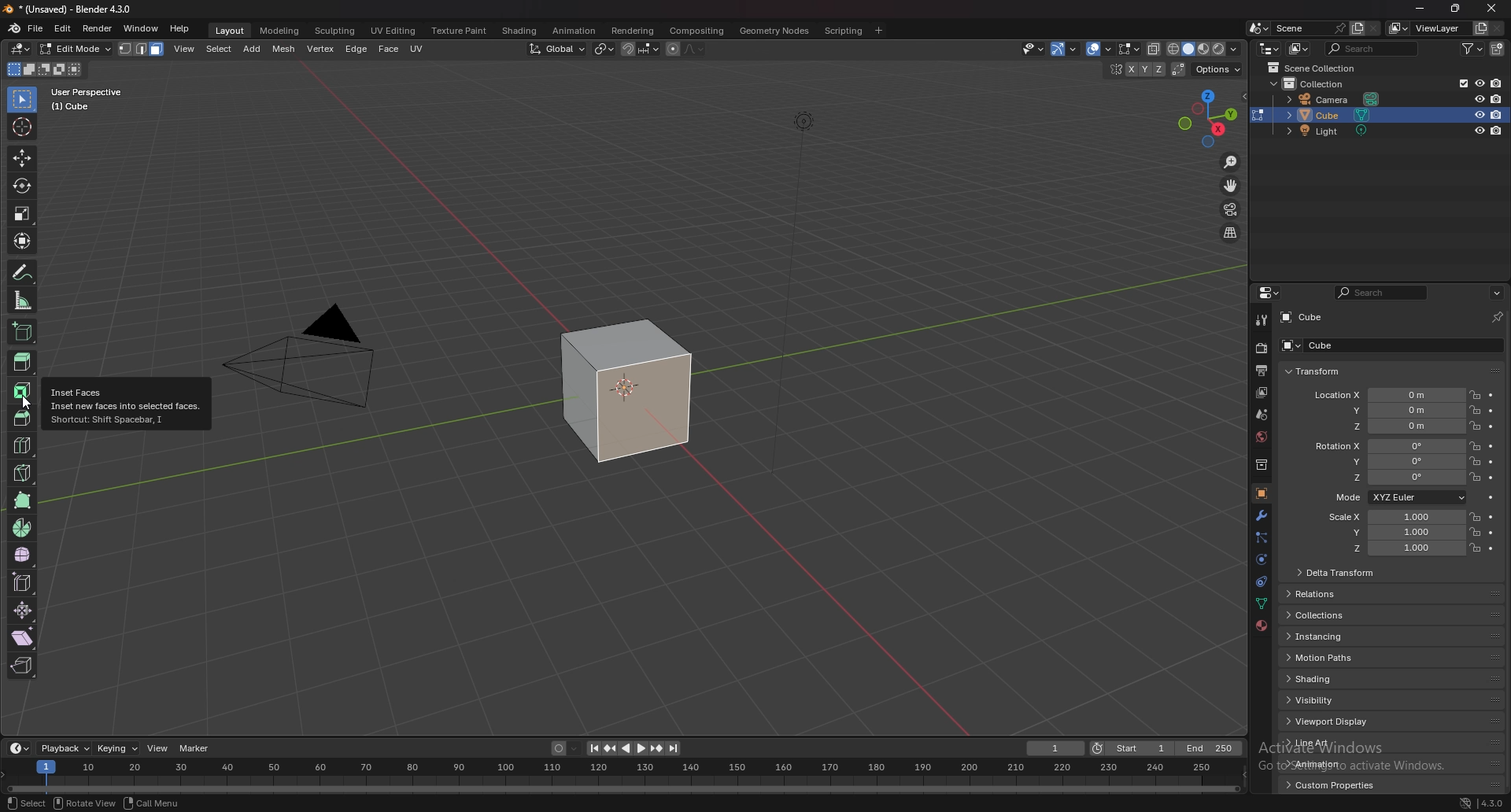 Image resolution: width=1511 pixels, height=812 pixels. I want to click on collections, so click(1327, 615).